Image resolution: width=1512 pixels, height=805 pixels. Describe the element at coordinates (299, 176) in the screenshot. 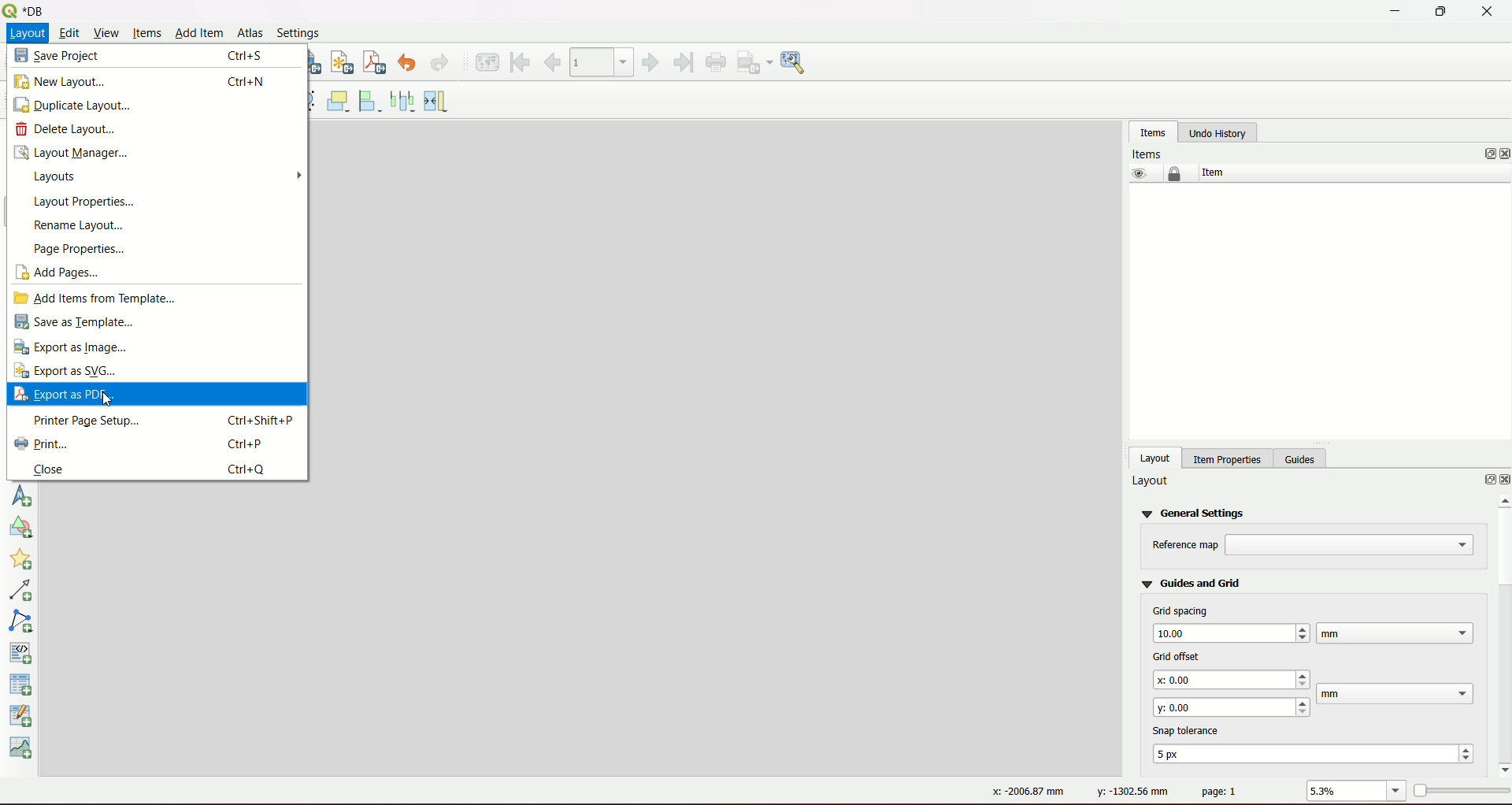

I see `arrow` at that location.